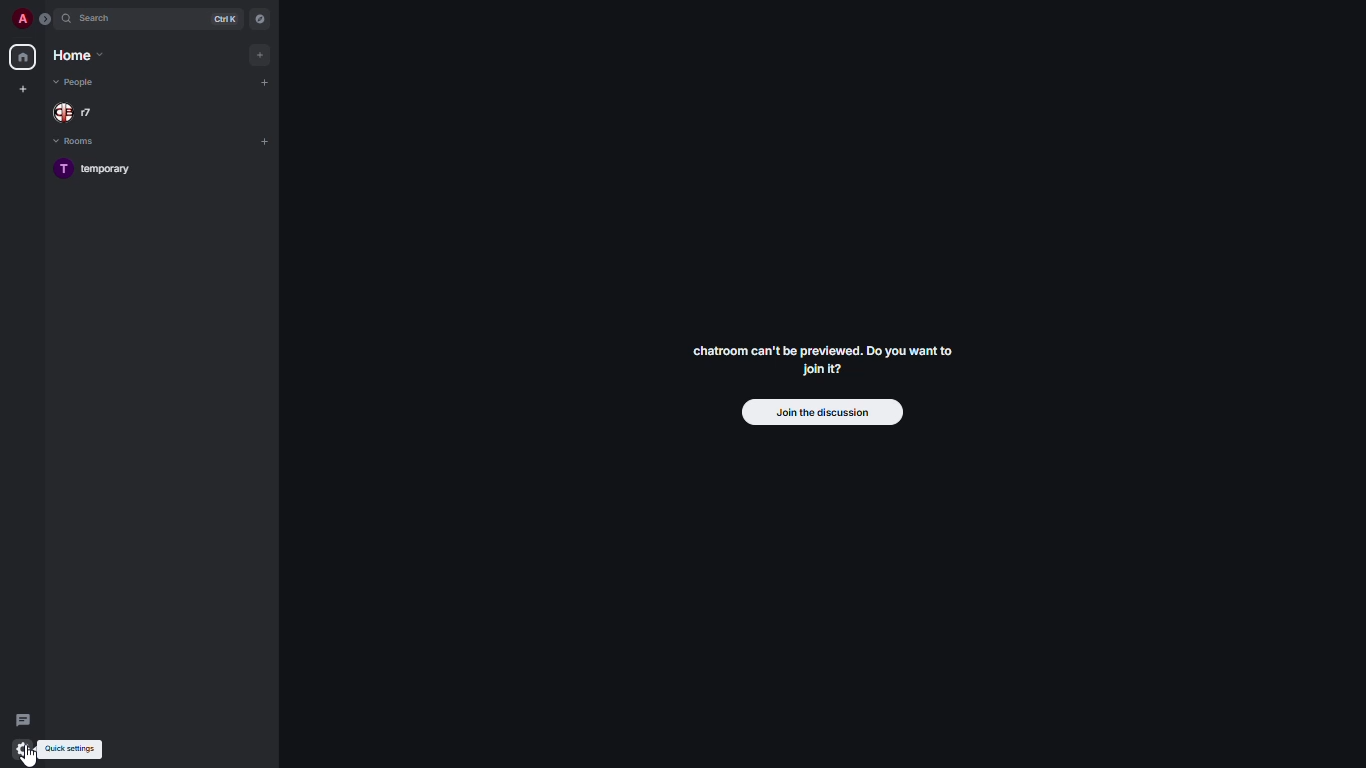  What do you see at coordinates (227, 19) in the screenshot?
I see `ctrl K` at bounding box center [227, 19].